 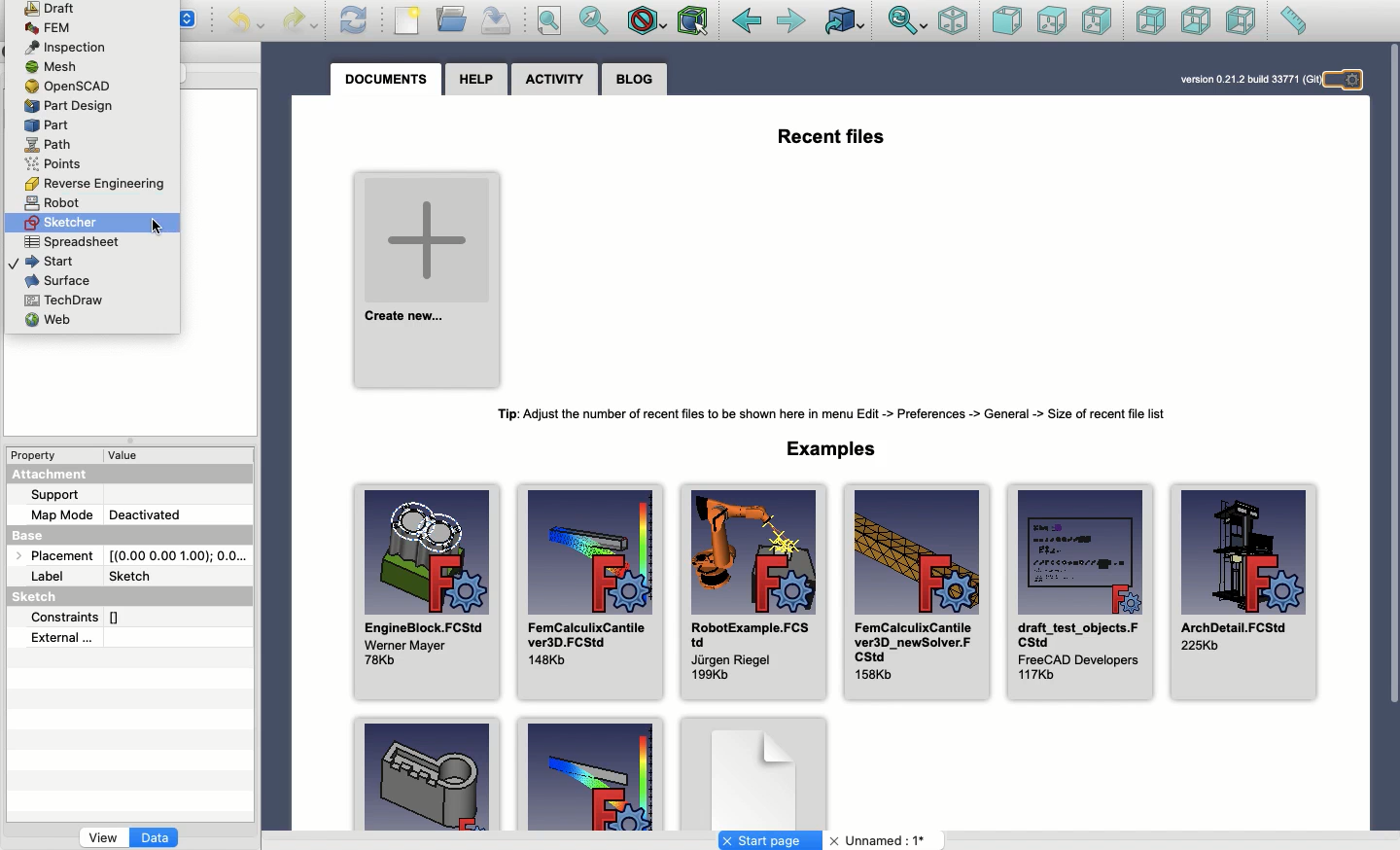 What do you see at coordinates (61, 557) in the screenshot?
I see `Placement` at bounding box center [61, 557].